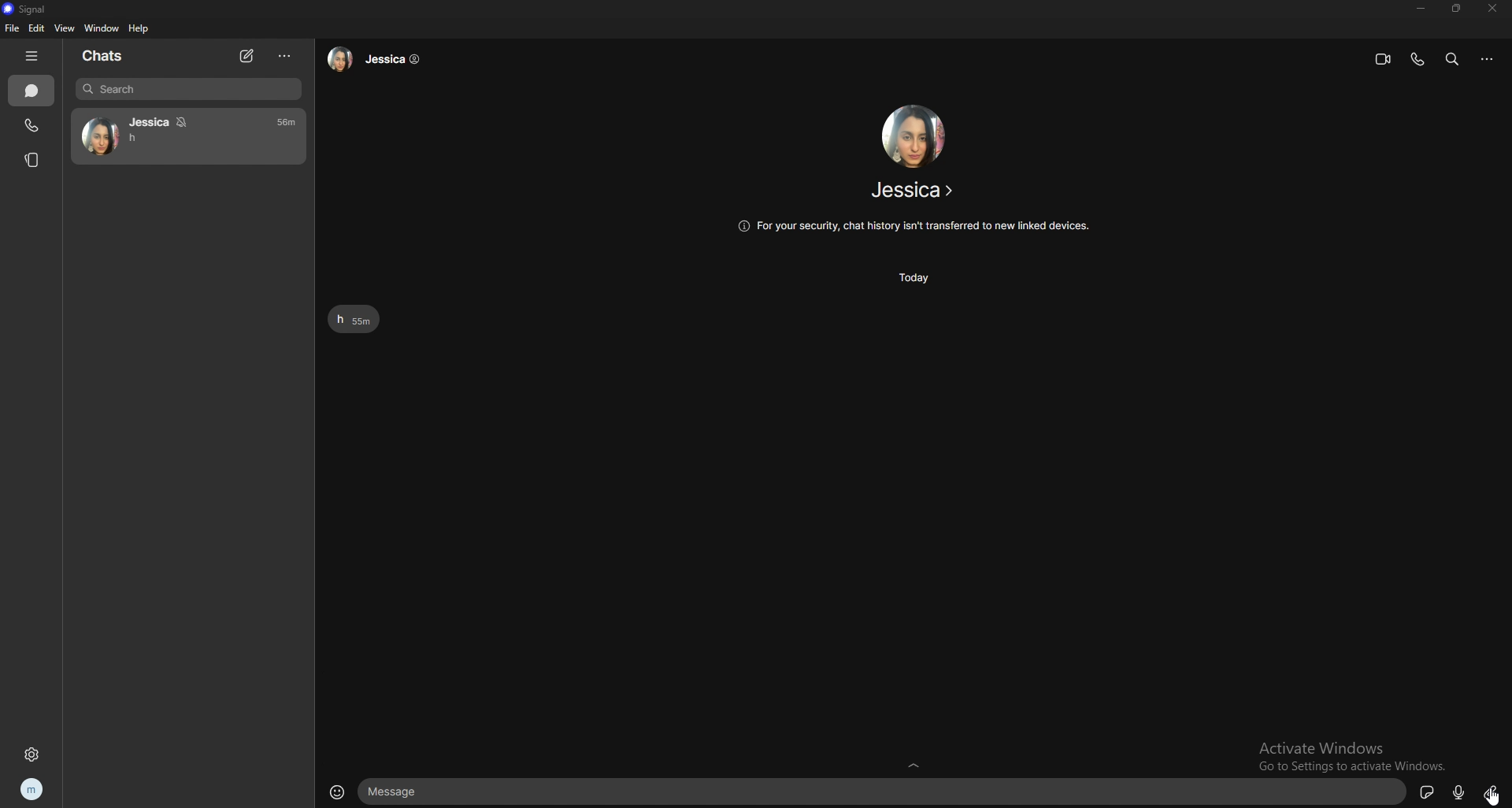 The image size is (1512, 808). What do you see at coordinates (31, 160) in the screenshot?
I see `stories` at bounding box center [31, 160].